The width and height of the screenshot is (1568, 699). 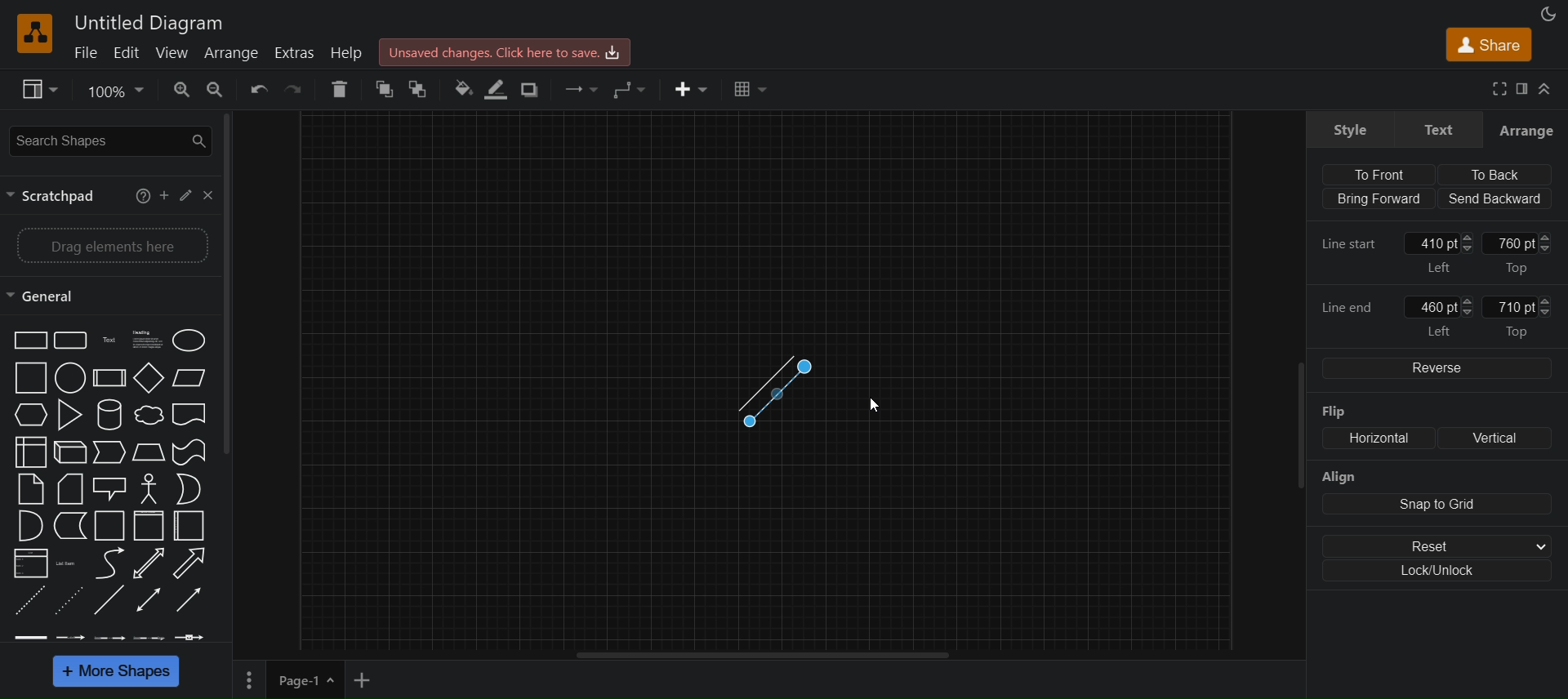 What do you see at coordinates (194, 563) in the screenshot?
I see `Arrow` at bounding box center [194, 563].